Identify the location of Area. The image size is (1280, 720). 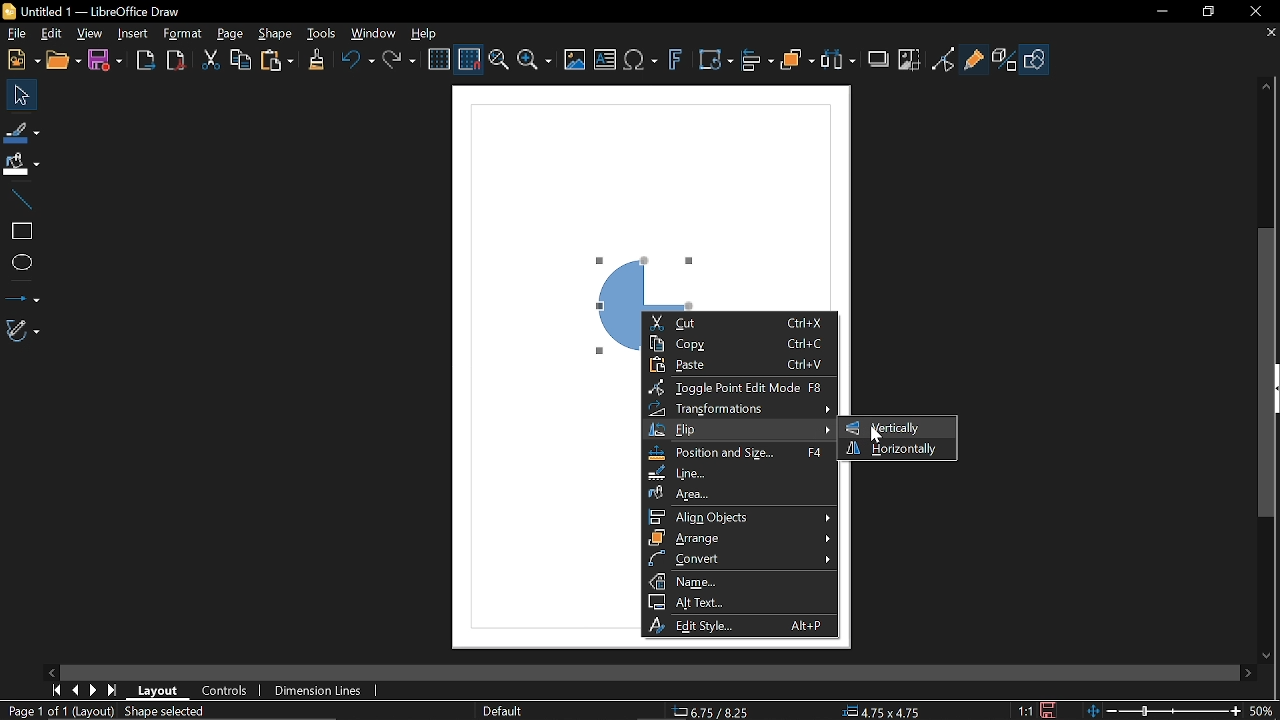
(738, 493).